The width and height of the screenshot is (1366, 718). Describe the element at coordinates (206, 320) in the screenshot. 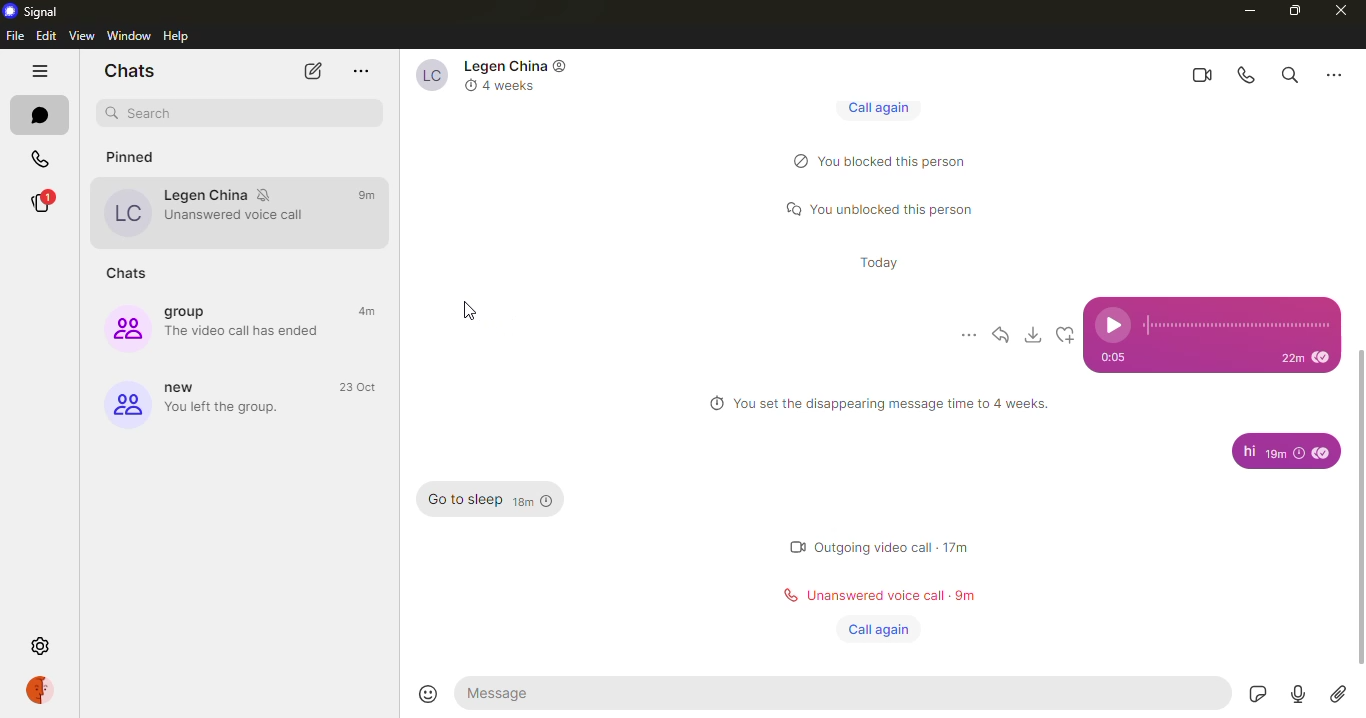

I see `group` at that location.